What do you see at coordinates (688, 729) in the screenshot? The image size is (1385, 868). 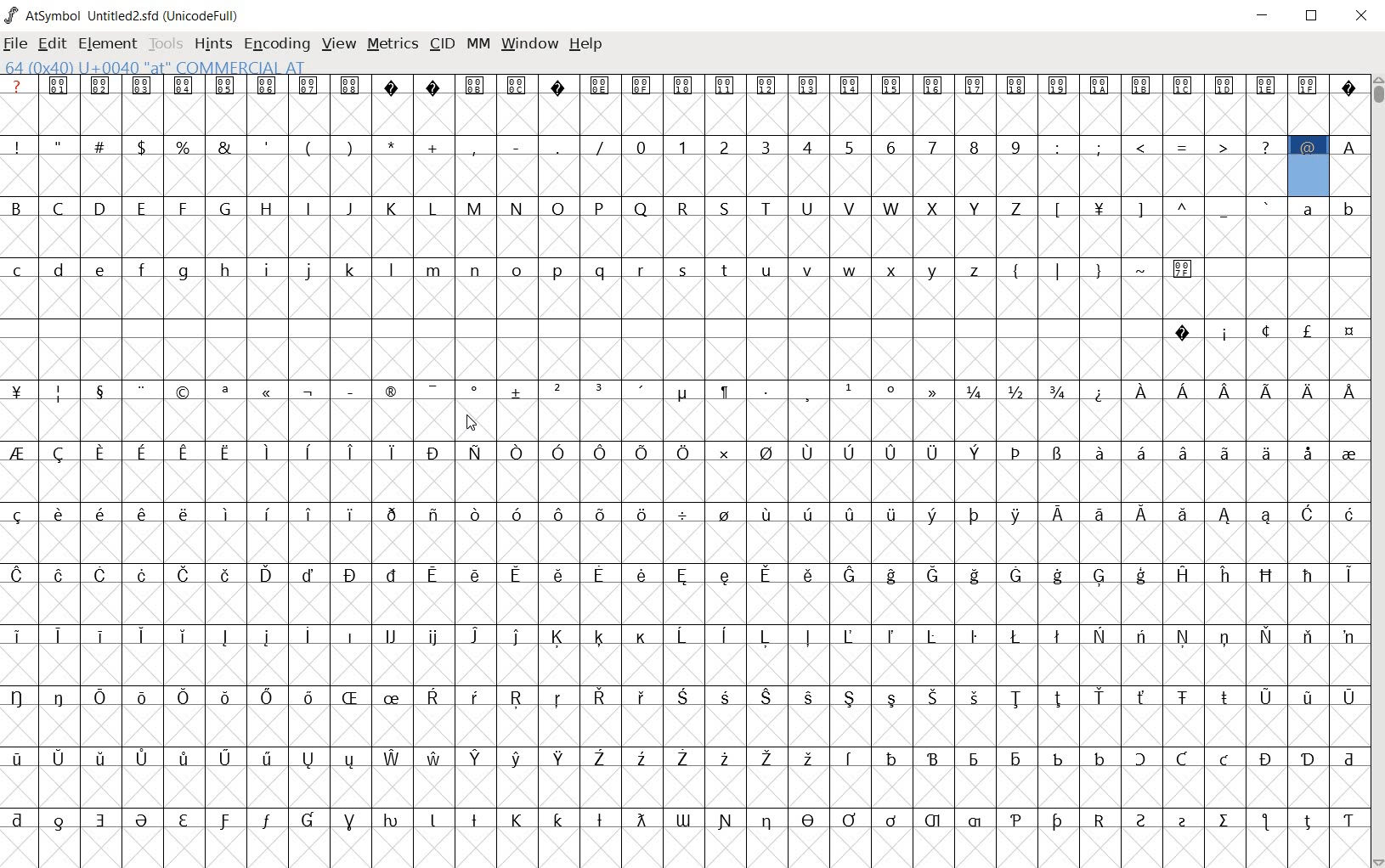 I see `empty glyph slots` at bounding box center [688, 729].